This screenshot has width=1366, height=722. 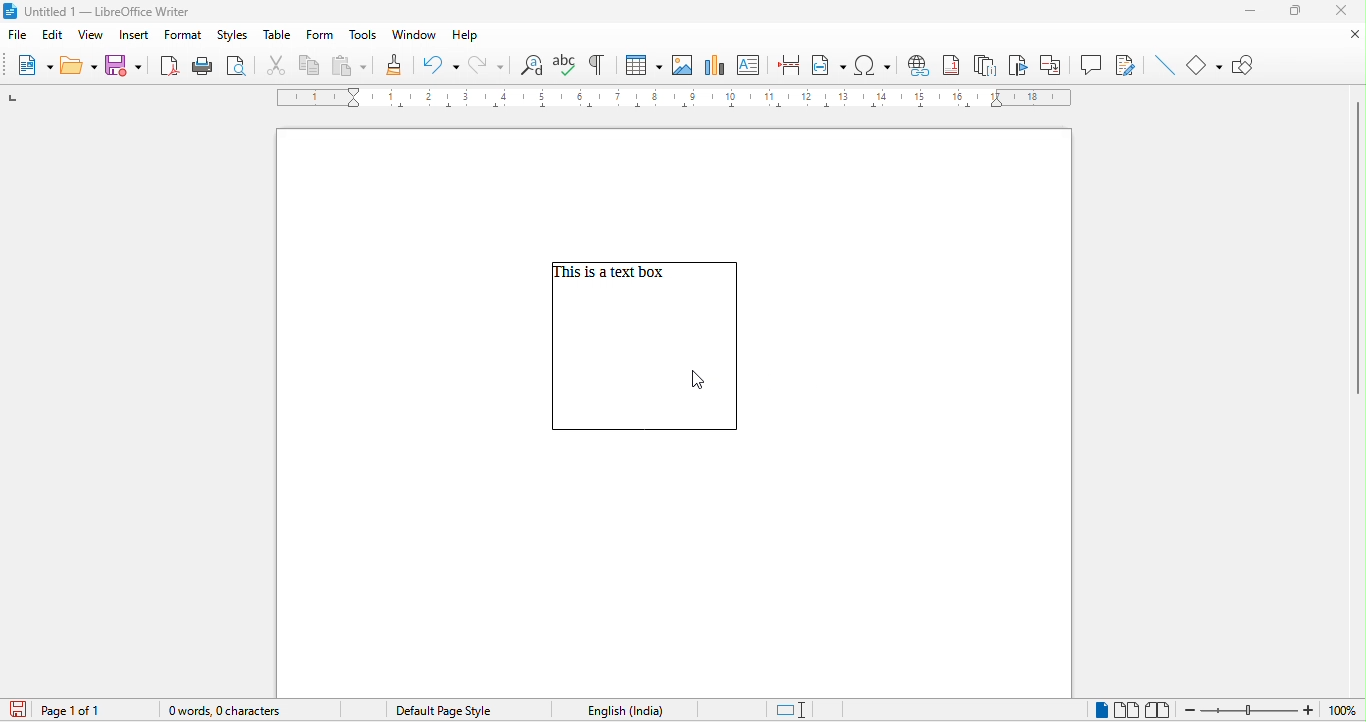 I want to click on special character, so click(x=875, y=66).